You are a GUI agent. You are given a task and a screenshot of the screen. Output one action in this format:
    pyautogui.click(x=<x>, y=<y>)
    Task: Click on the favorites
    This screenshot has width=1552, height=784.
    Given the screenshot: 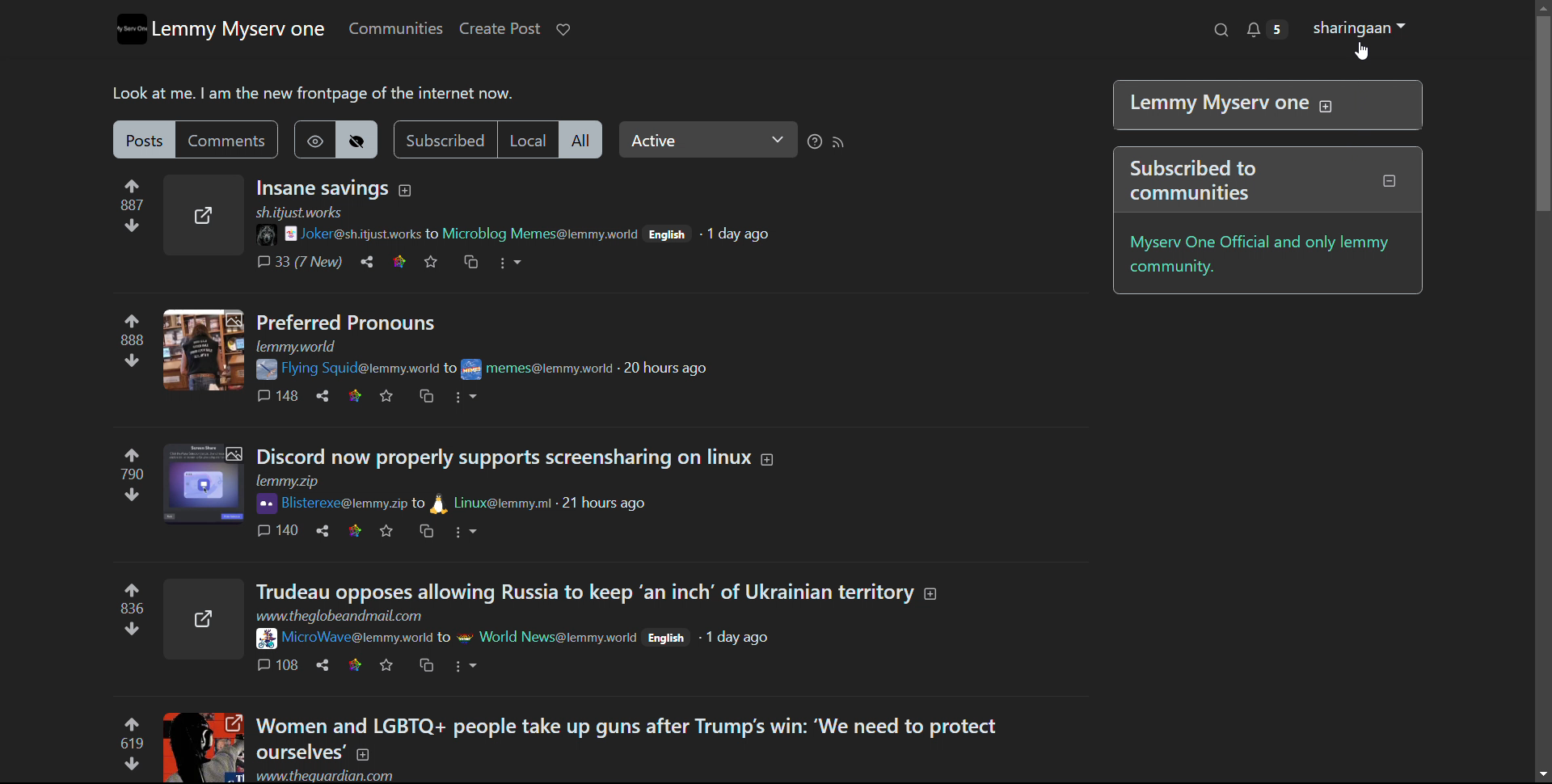 What is the action you would take?
    pyautogui.click(x=387, y=397)
    